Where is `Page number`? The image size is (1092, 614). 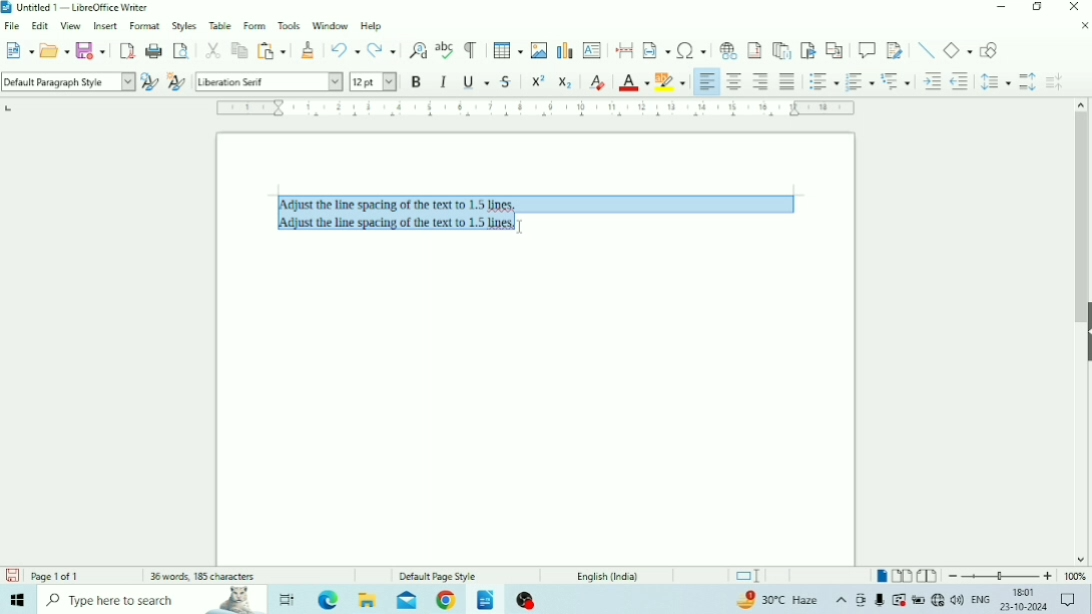
Page number is located at coordinates (56, 576).